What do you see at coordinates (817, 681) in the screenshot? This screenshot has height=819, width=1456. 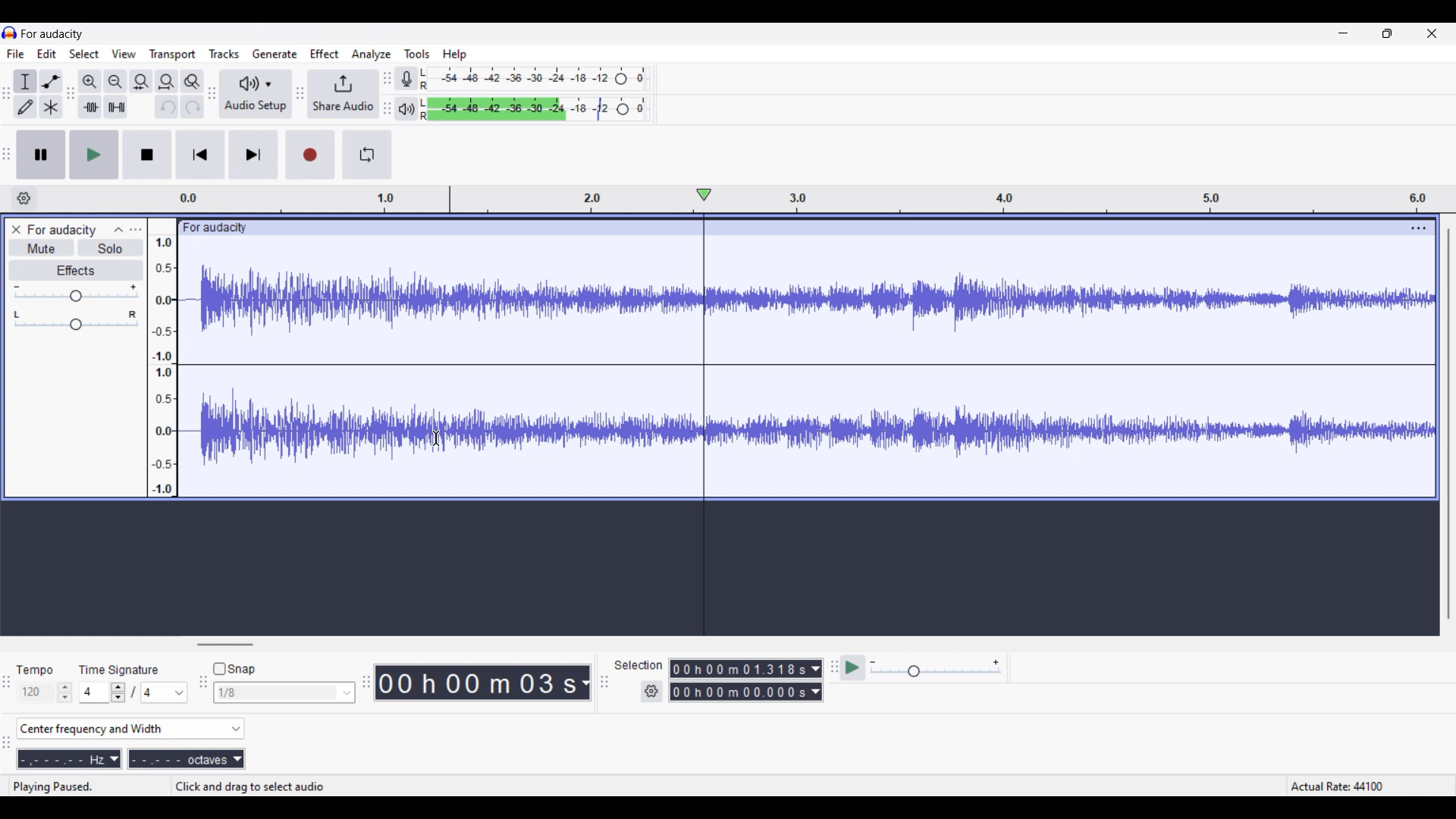 I see `Selection duration measurement options` at bounding box center [817, 681].